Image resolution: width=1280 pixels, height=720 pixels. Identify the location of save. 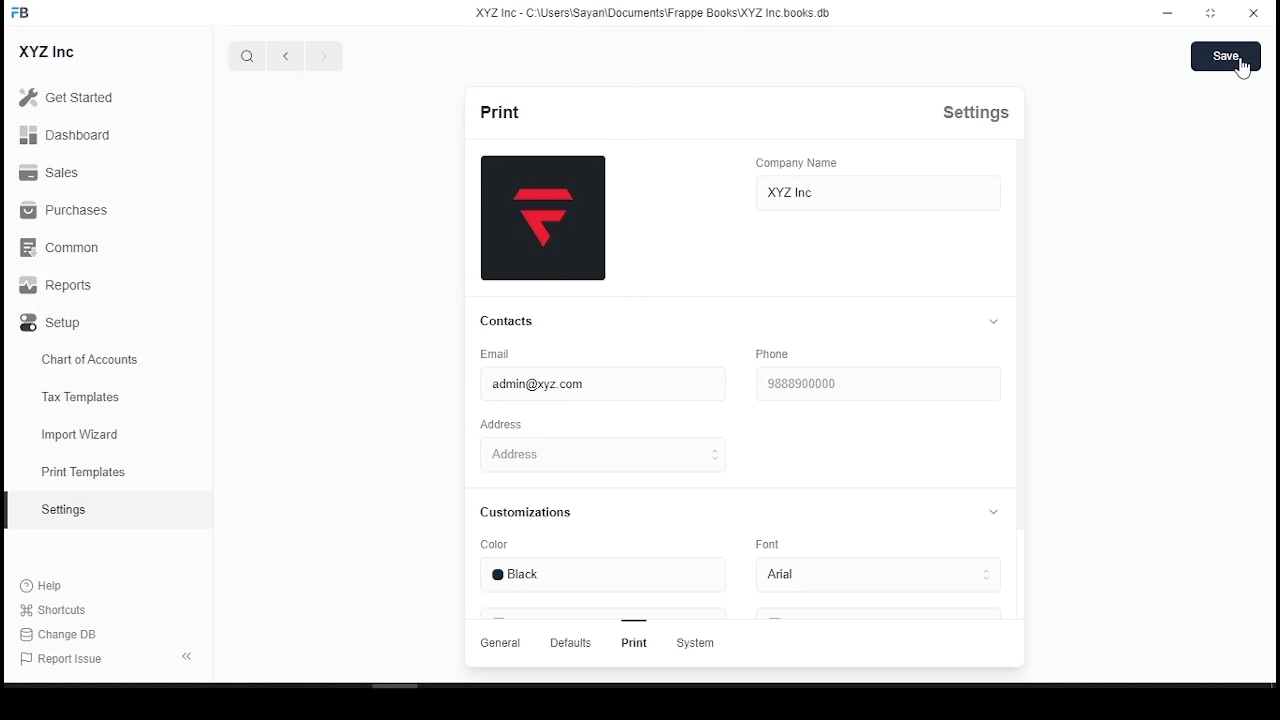
(1223, 57).